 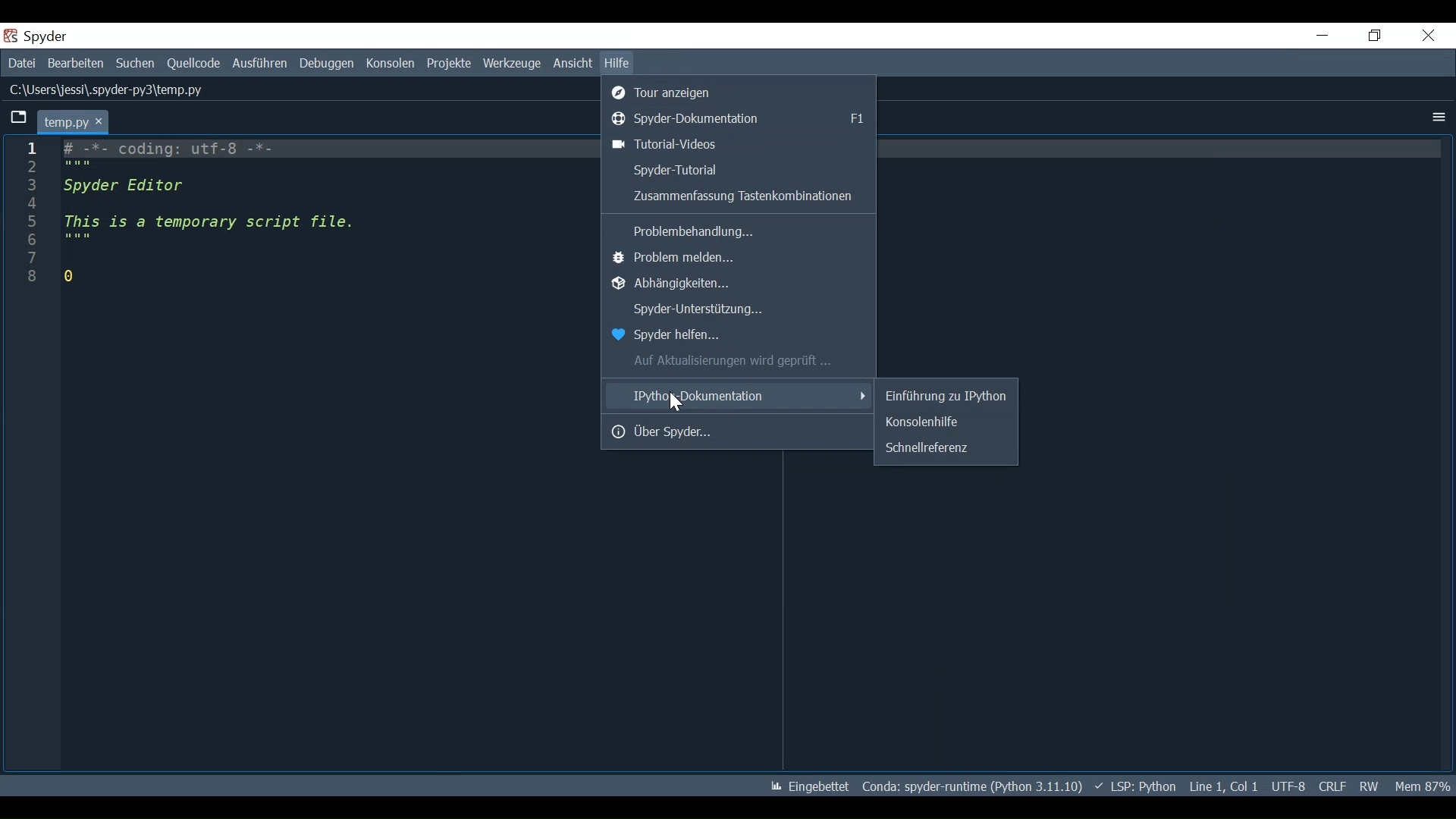 I want to click on More Options, so click(x=1436, y=118).